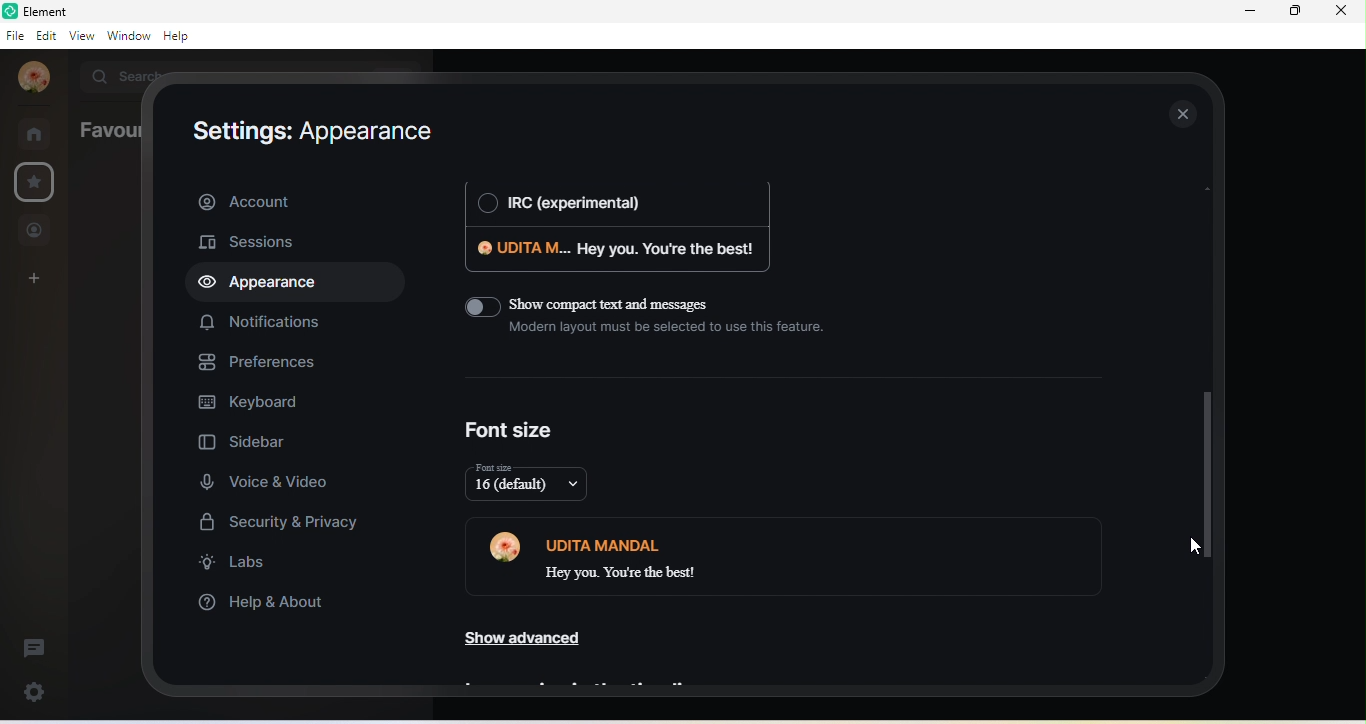 This screenshot has width=1366, height=724. What do you see at coordinates (34, 78) in the screenshot?
I see `profile photo` at bounding box center [34, 78].